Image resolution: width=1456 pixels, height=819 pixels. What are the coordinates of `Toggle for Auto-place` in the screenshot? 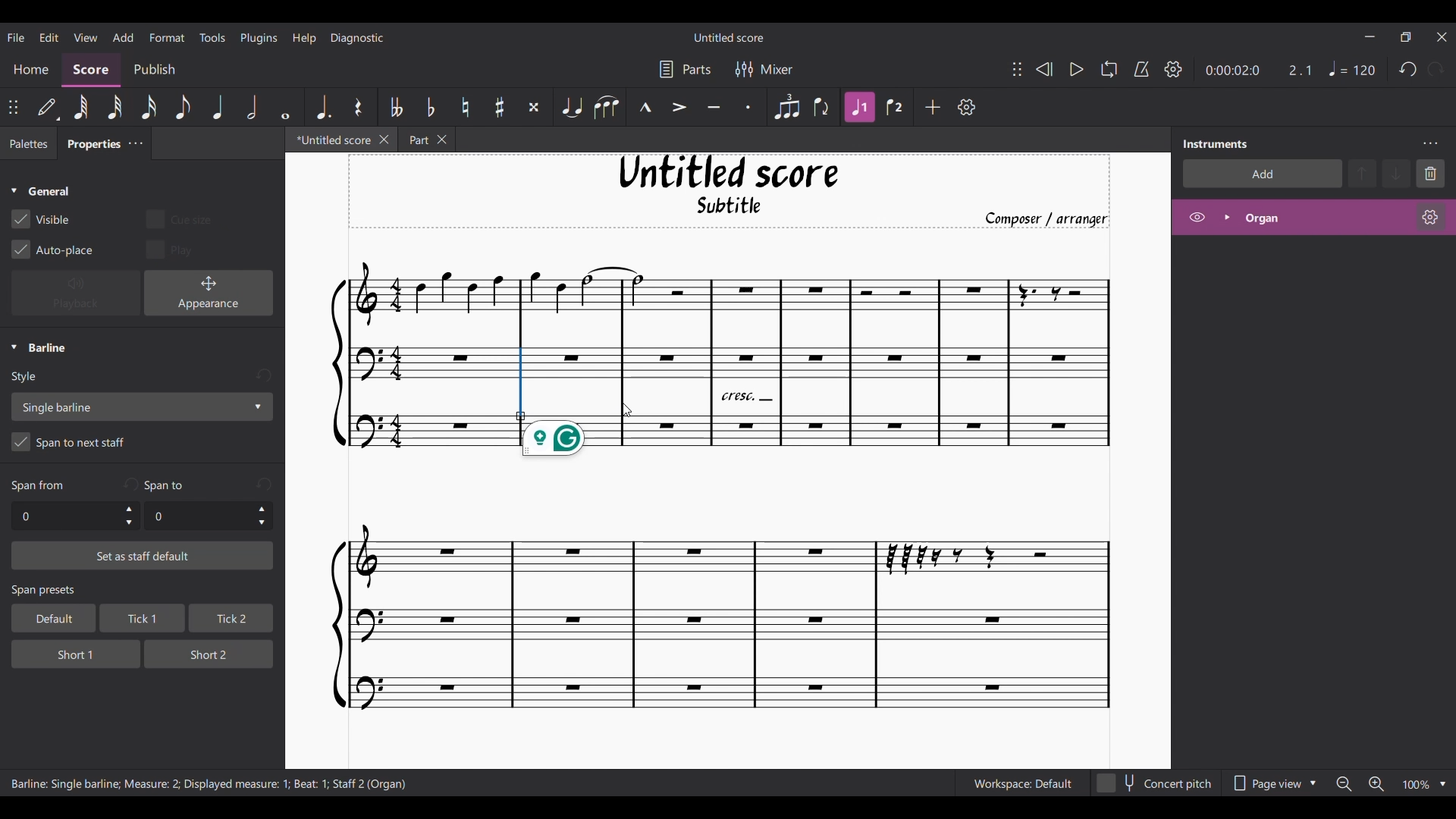 It's located at (53, 249).